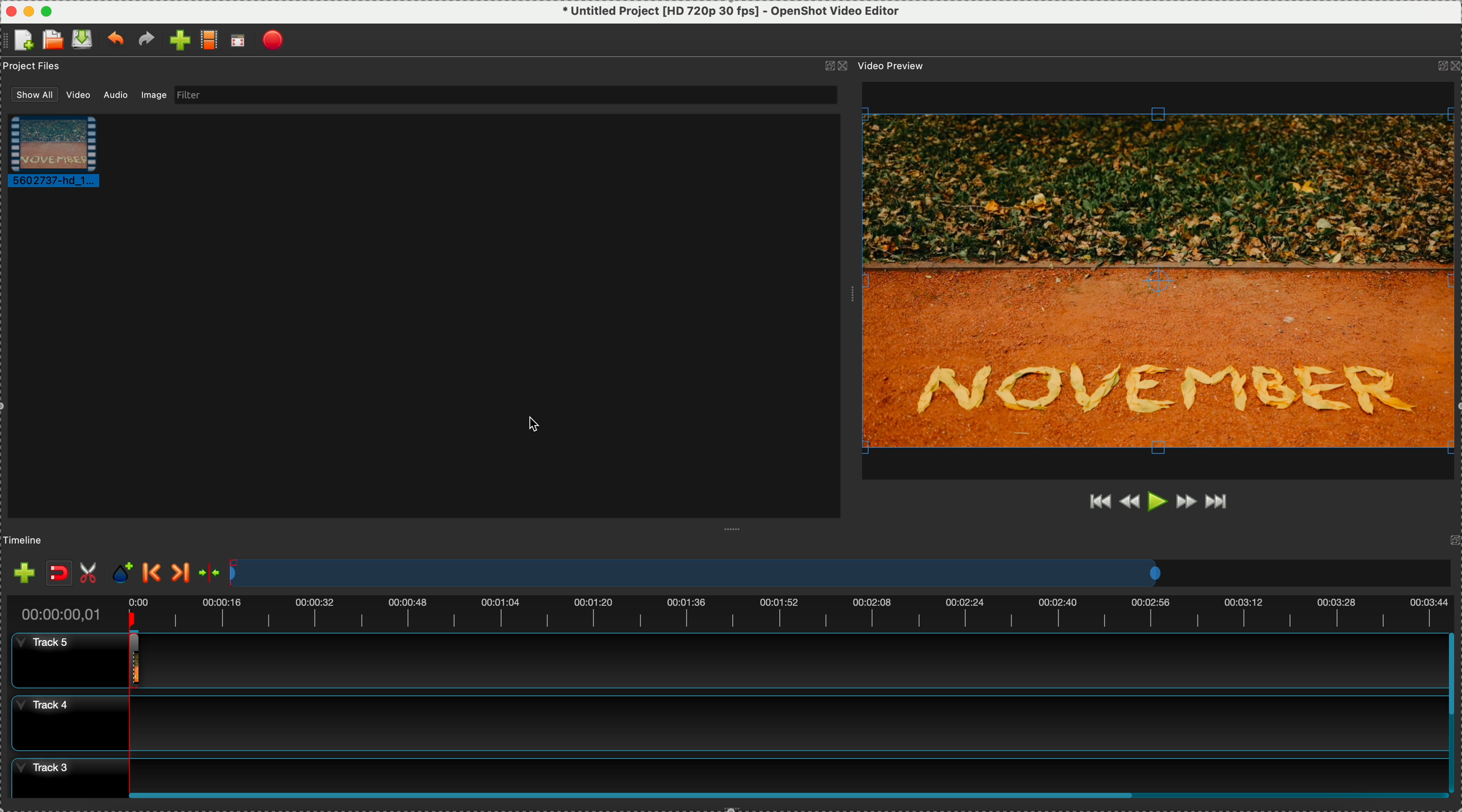 The image size is (1462, 812). What do you see at coordinates (21, 41) in the screenshot?
I see `create file` at bounding box center [21, 41].